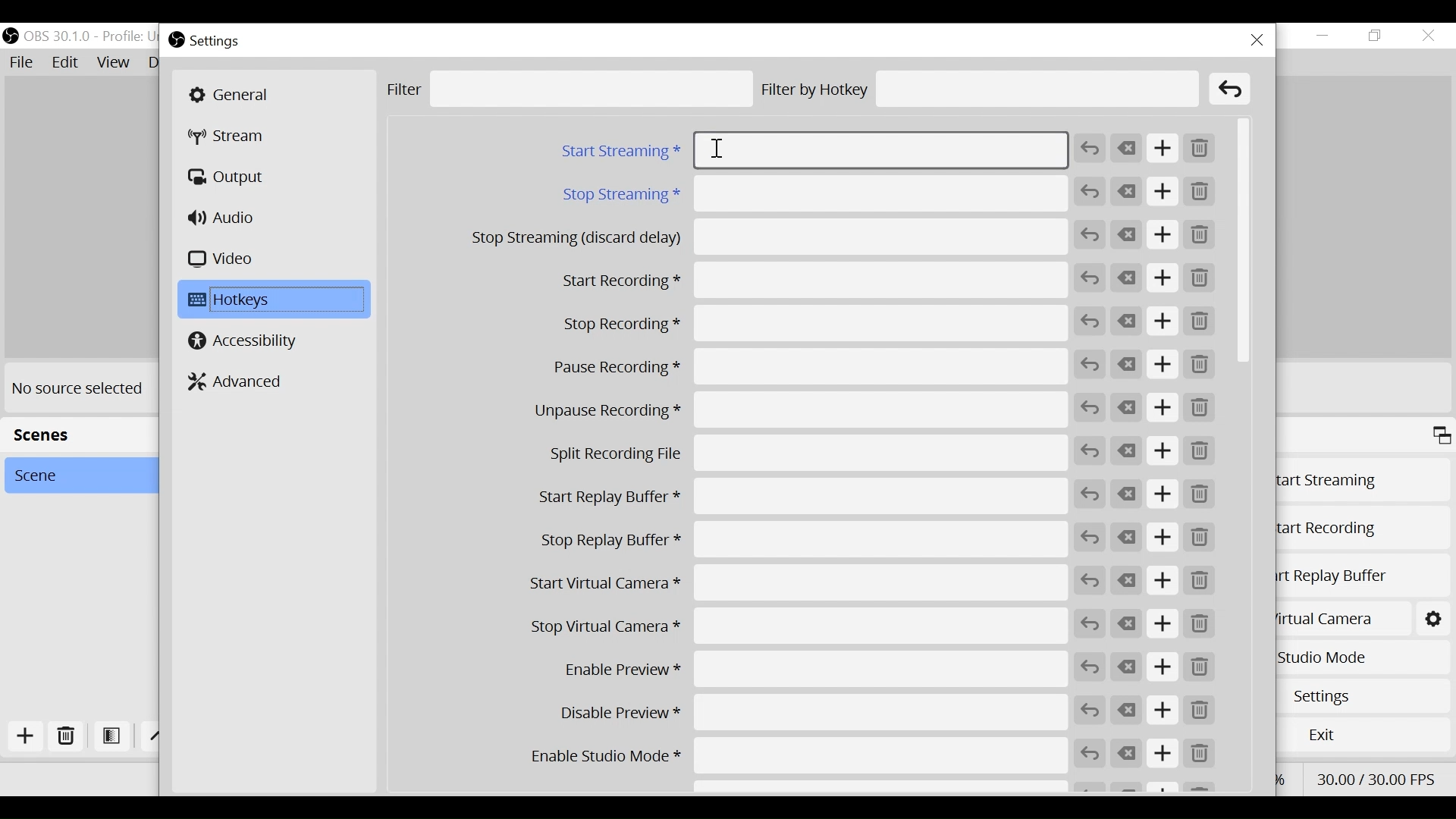 The height and width of the screenshot is (819, 1456). Describe the element at coordinates (1089, 149) in the screenshot. I see `Revert` at that location.